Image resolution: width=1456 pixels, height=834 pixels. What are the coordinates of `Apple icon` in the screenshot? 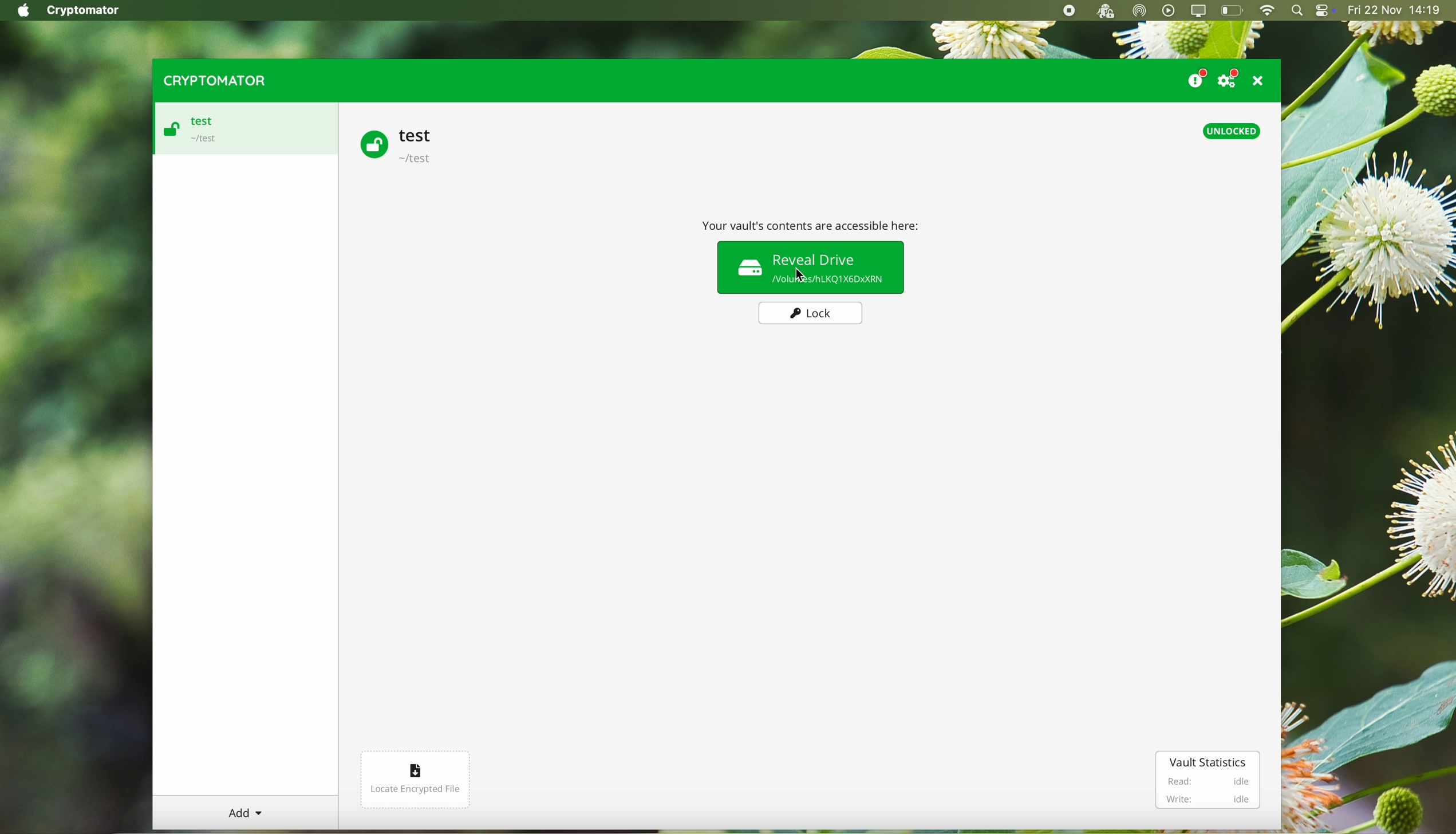 It's located at (20, 10).